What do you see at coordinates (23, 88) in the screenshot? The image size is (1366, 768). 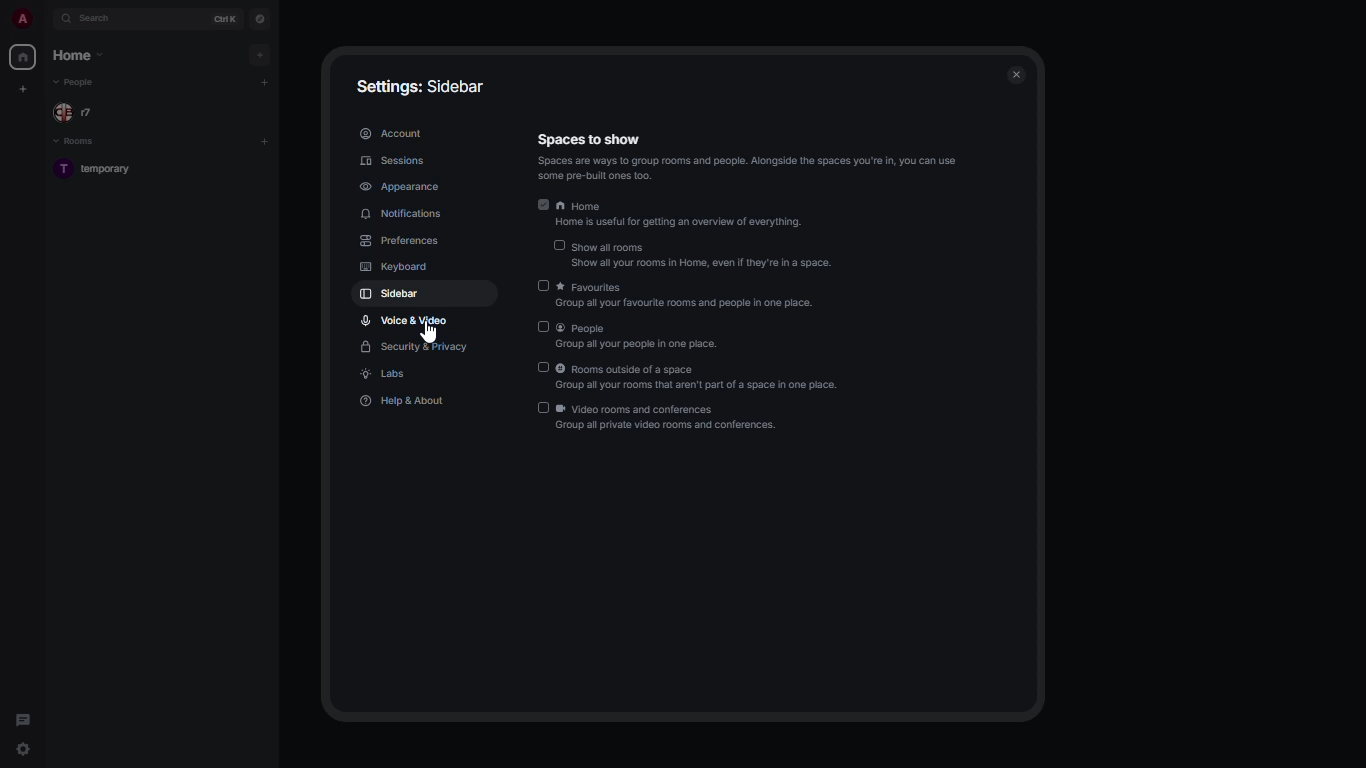 I see `create new space` at bounding box center [23, 88].